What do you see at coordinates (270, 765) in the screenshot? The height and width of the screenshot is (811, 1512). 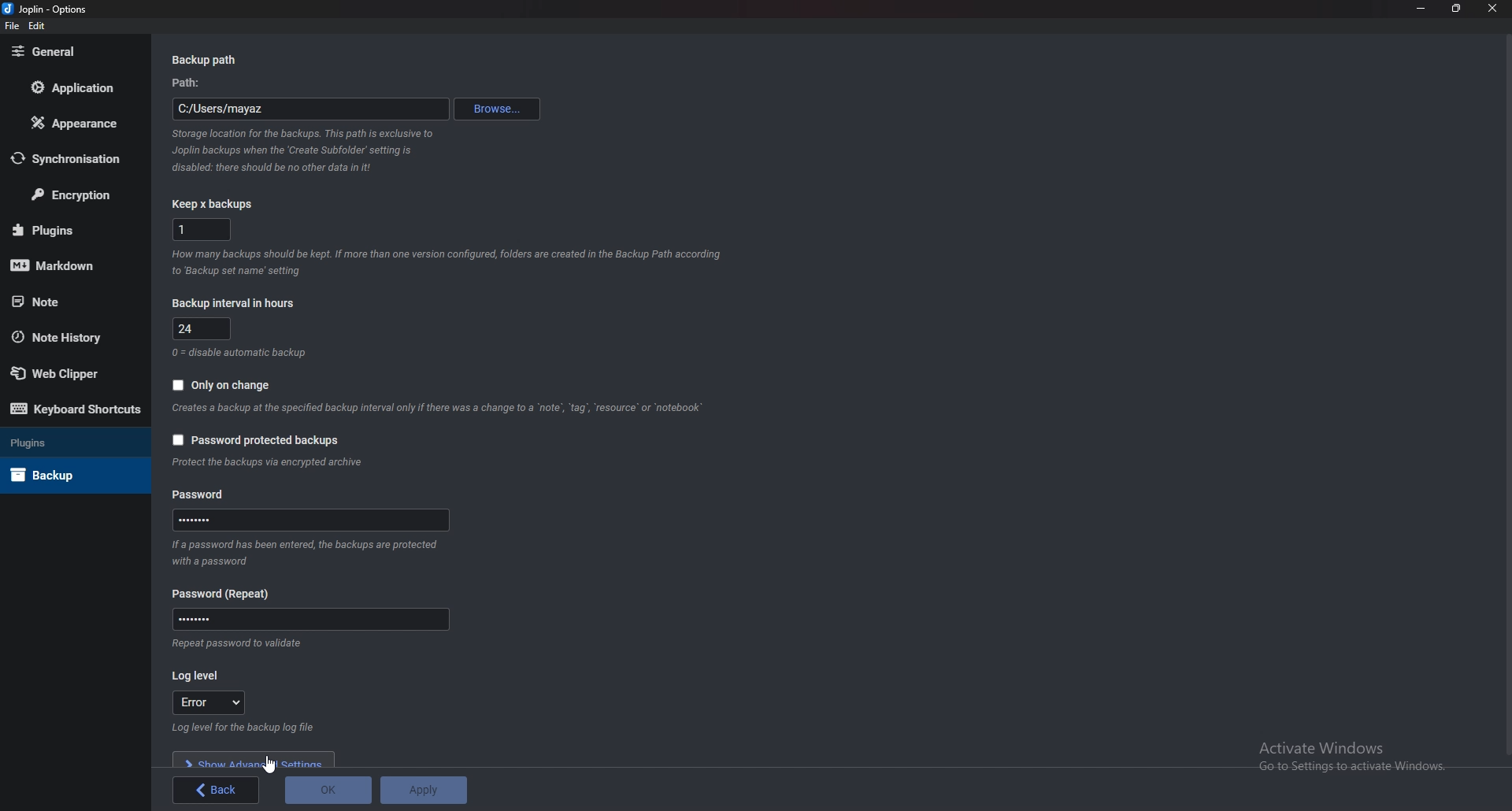 I see `cursor` at bounding box center [270, 765].